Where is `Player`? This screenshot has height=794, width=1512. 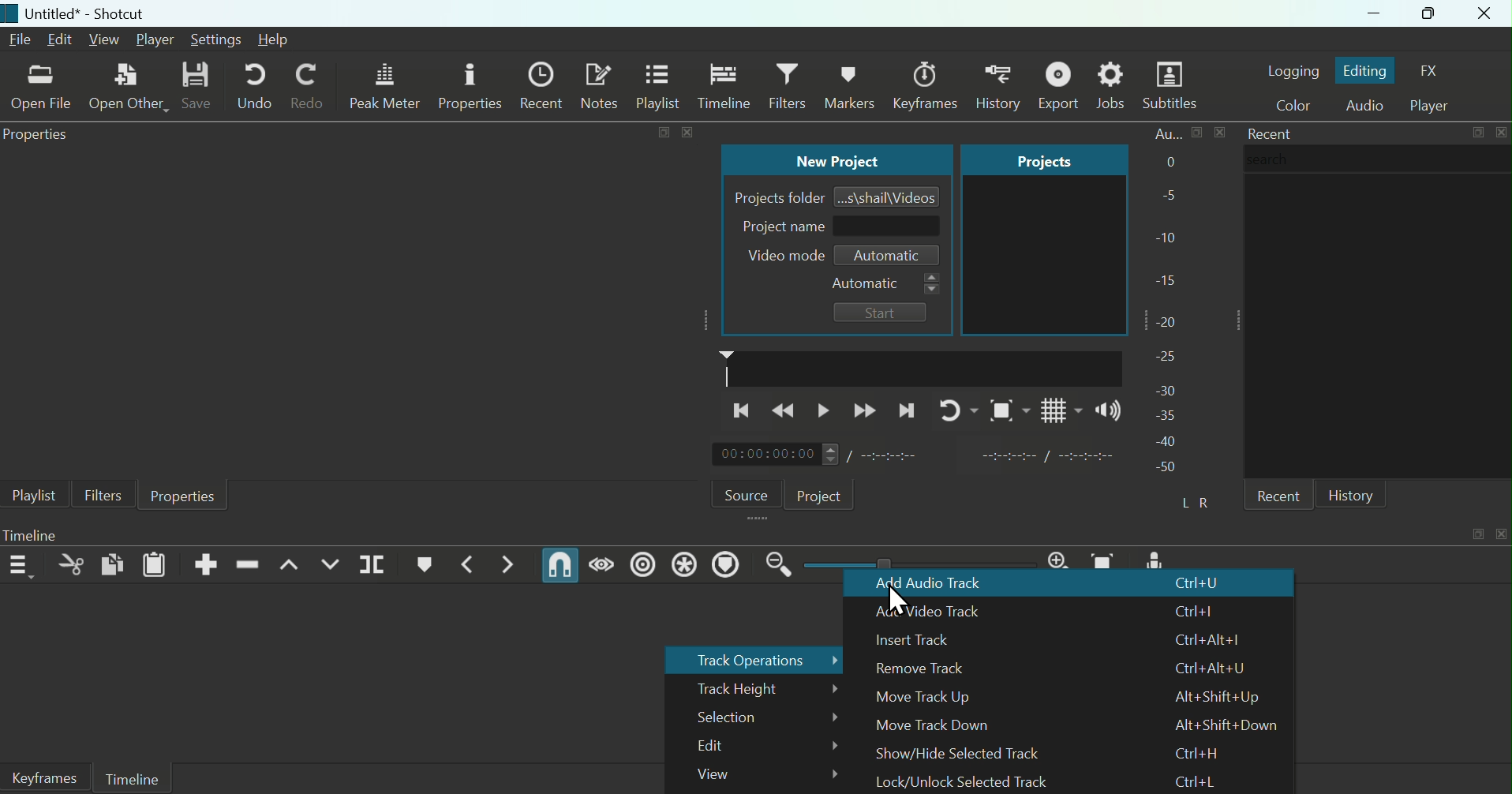
Player is located at coordinates (155, 39).